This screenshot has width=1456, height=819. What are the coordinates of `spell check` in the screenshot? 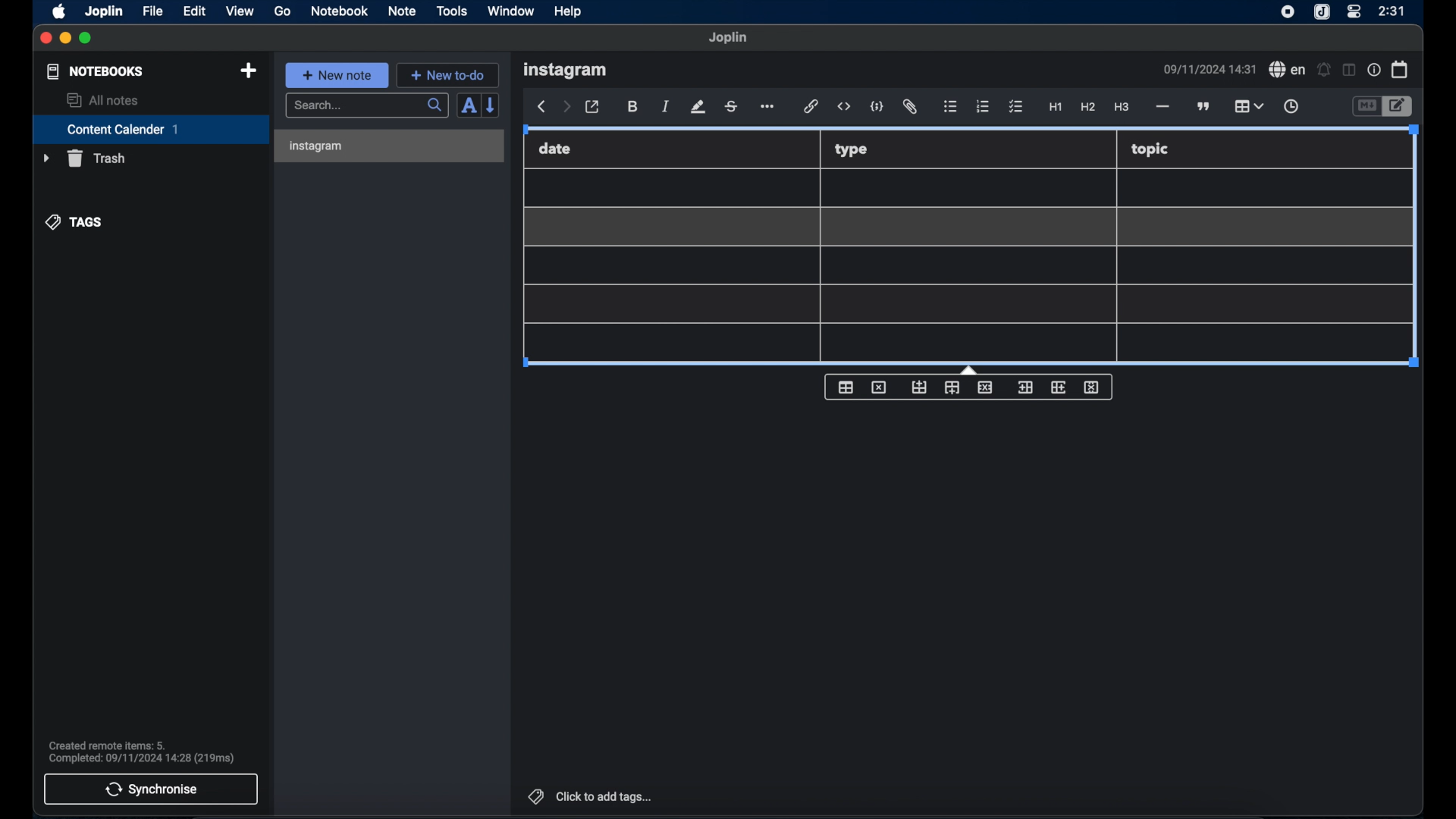 It's located at (1288, 69).